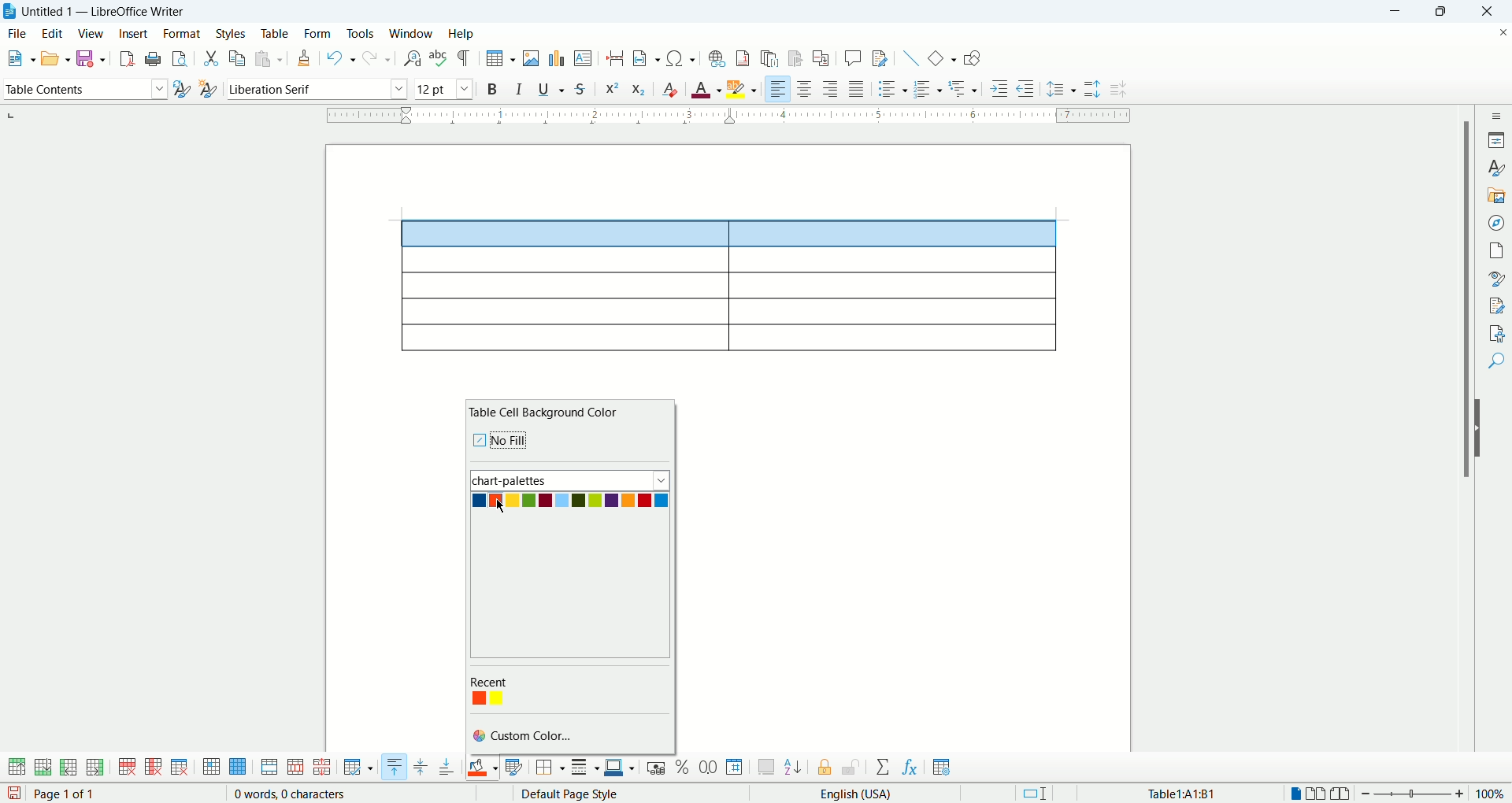 The image size is (1512, 803). What do you see at coordinates (490, 698) in the screenshot?
I see `recent colors` at bounding box center [490, 698].